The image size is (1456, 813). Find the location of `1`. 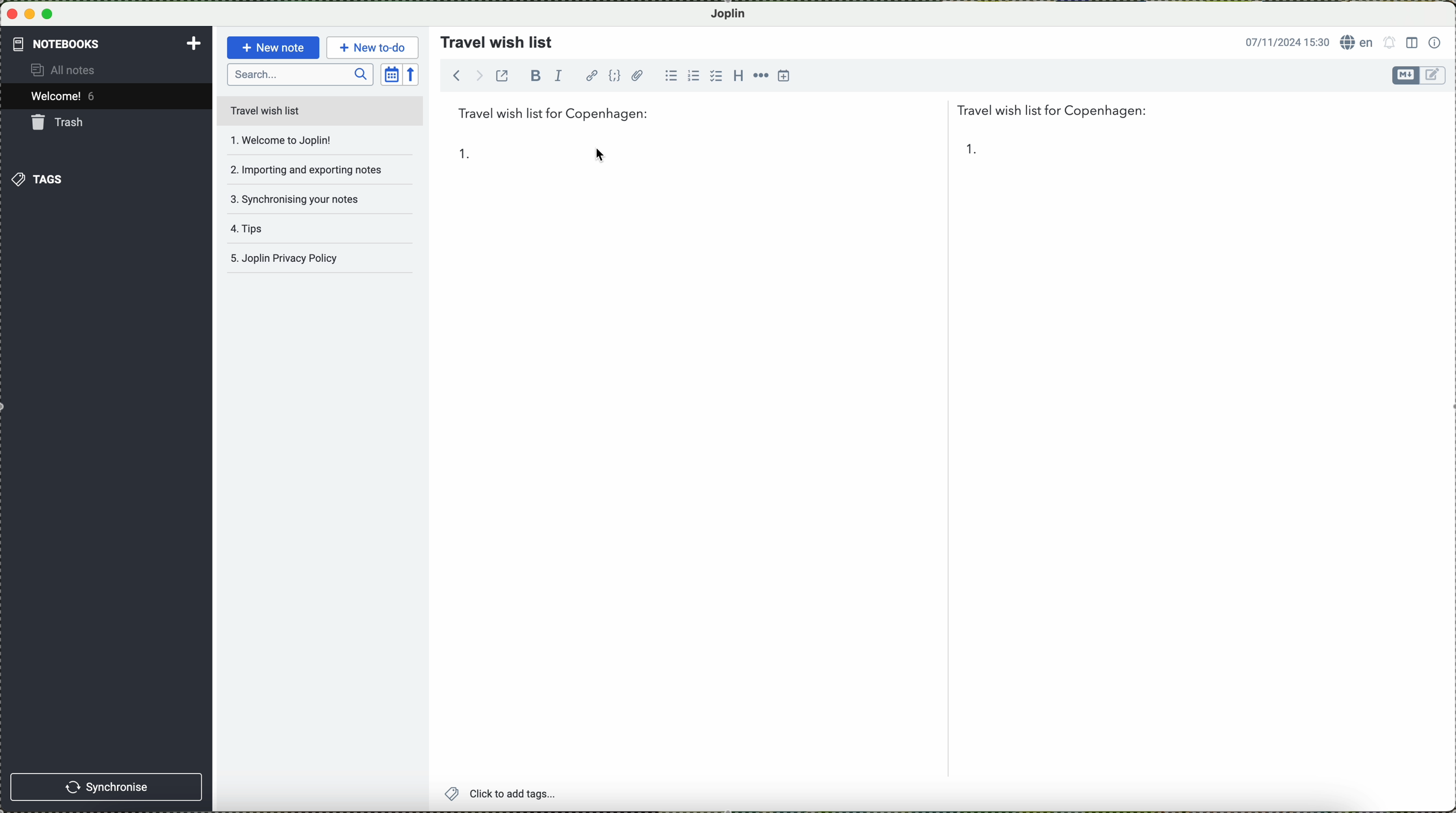

1 is located at coordinates (464, 154).